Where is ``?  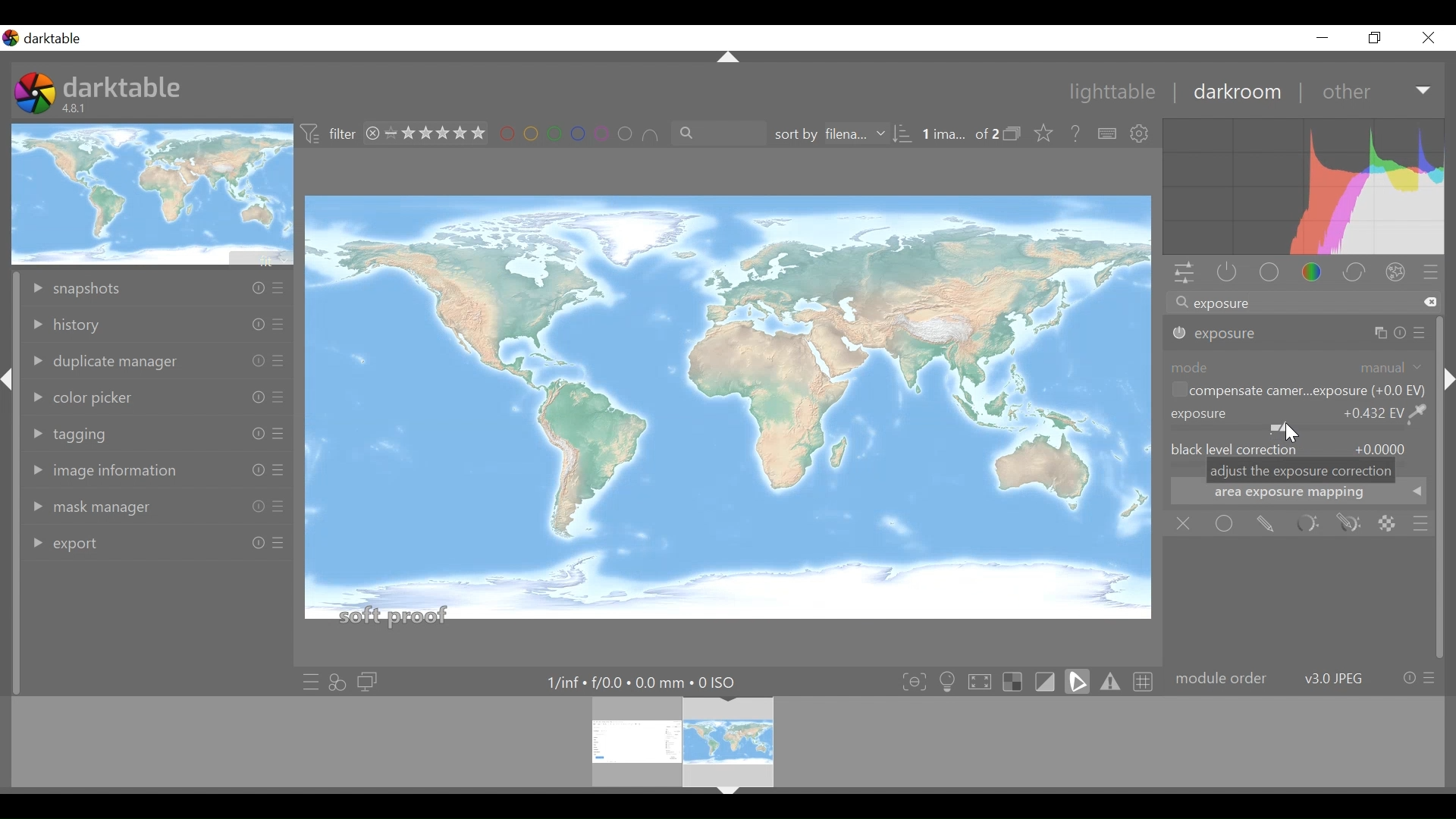  is located at coordinates (1322, 37).